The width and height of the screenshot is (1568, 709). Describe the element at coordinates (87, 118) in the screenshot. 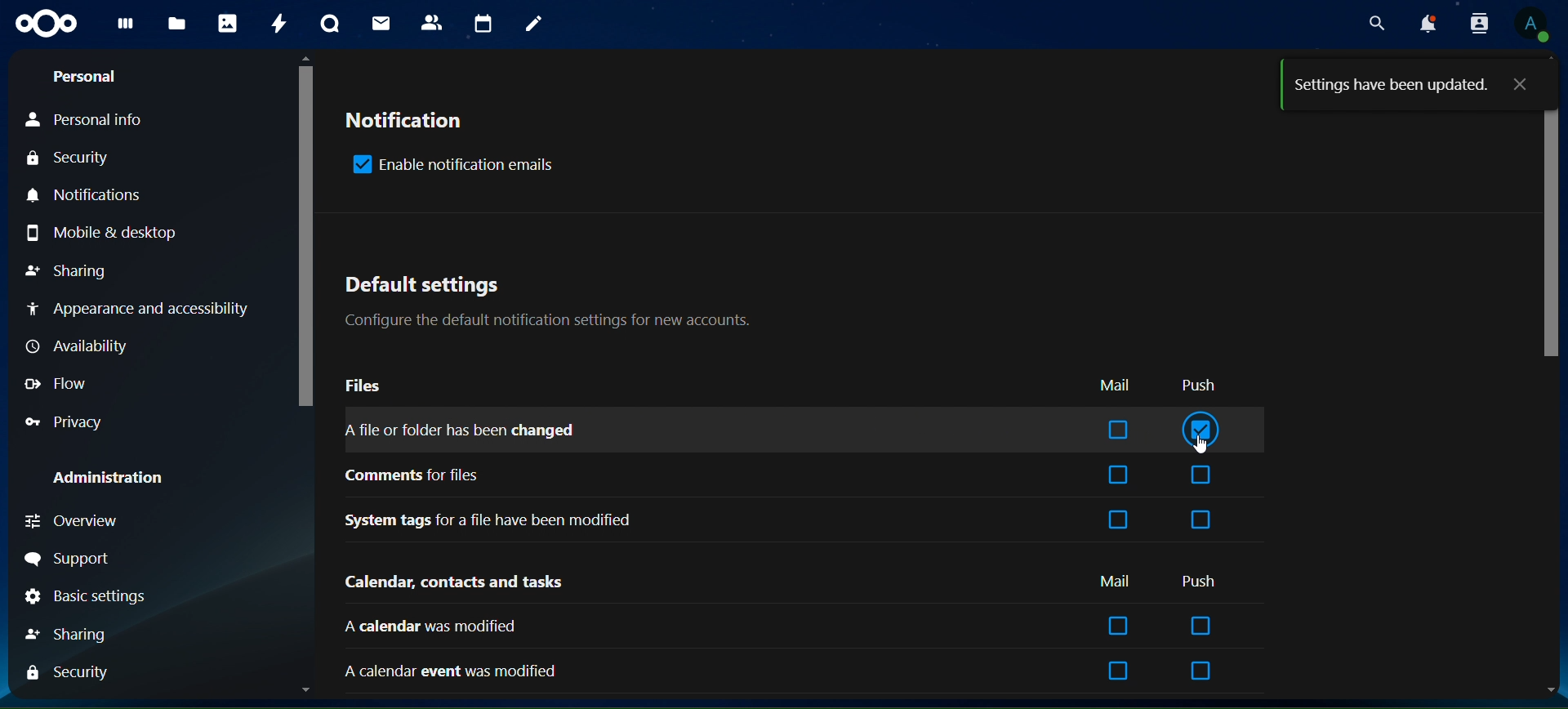

I see `personal info` at that location.